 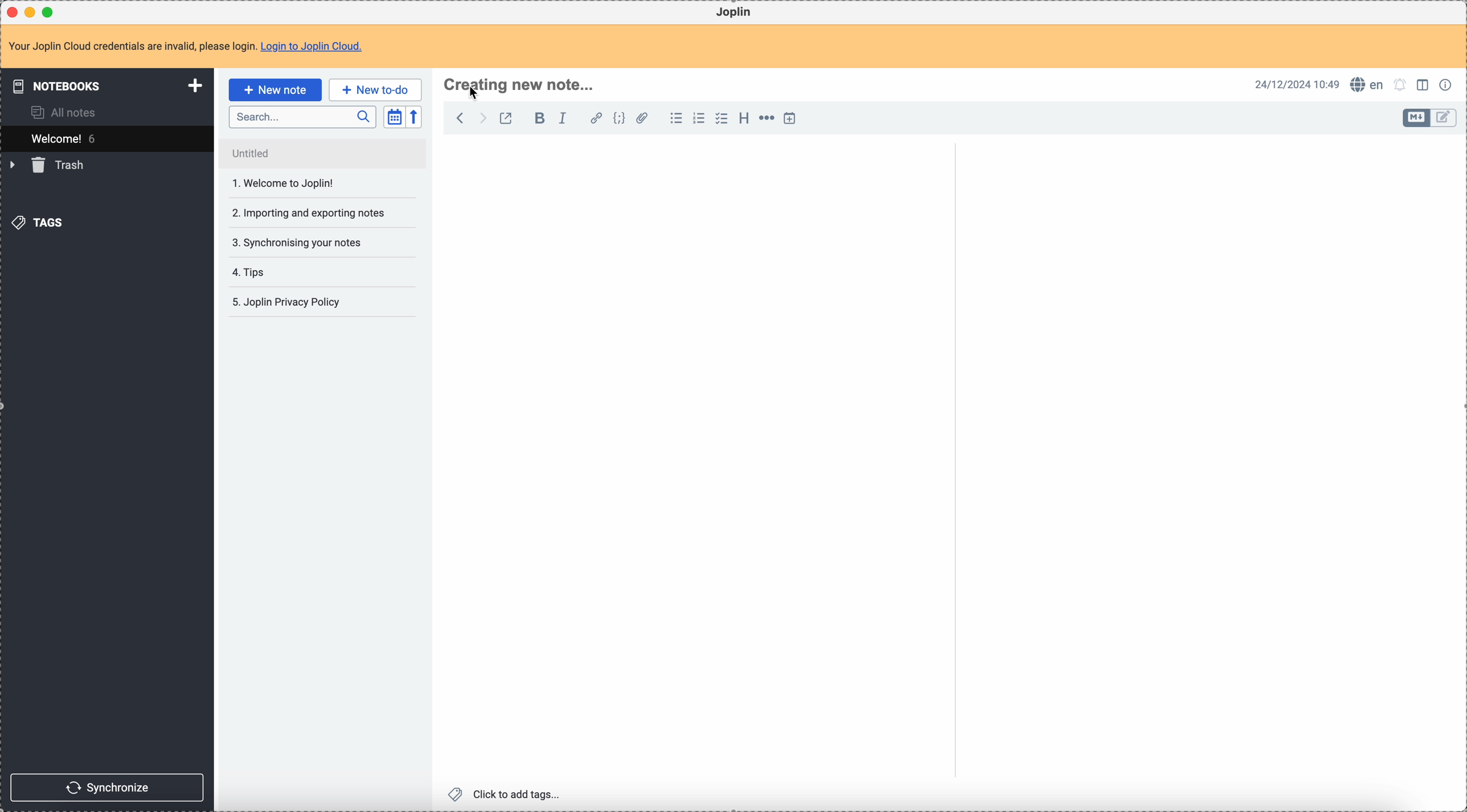 I want to click on search bar, so click(x=302, y=117).